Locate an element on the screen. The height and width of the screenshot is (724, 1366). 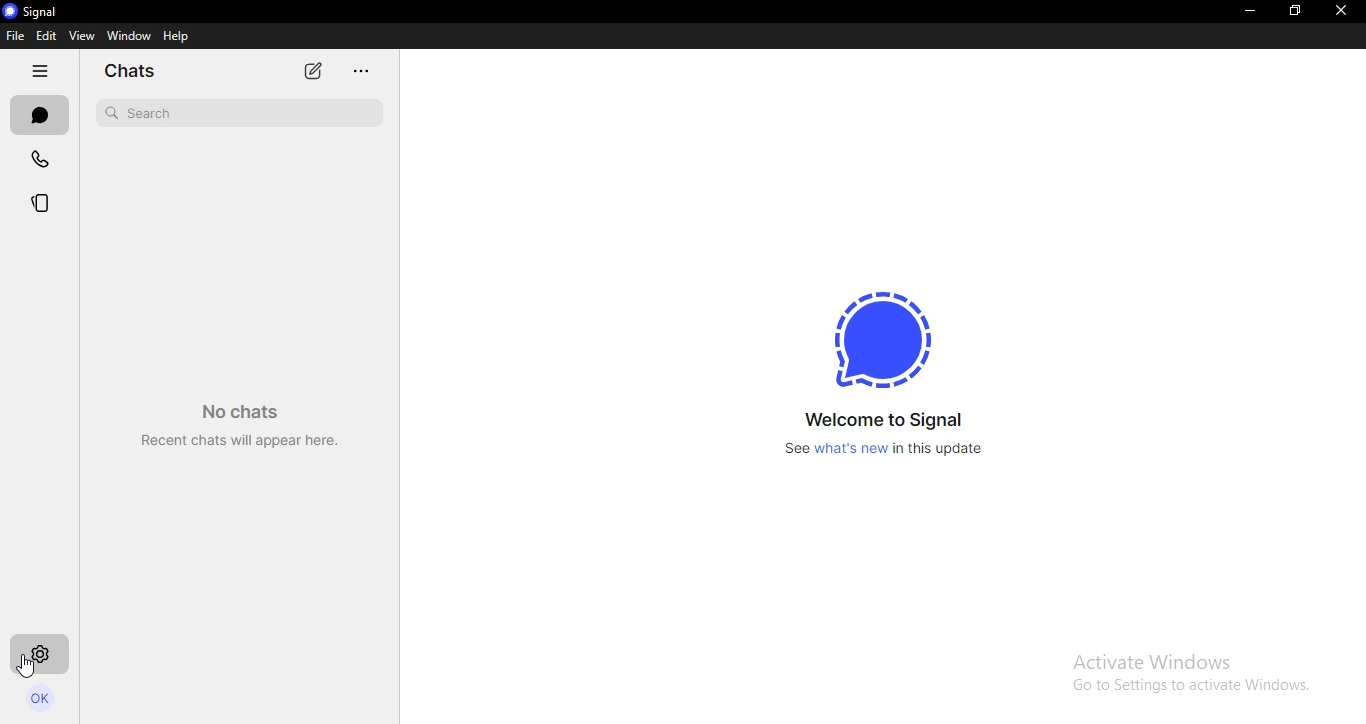
new chat is located at coordinates (314, 69).